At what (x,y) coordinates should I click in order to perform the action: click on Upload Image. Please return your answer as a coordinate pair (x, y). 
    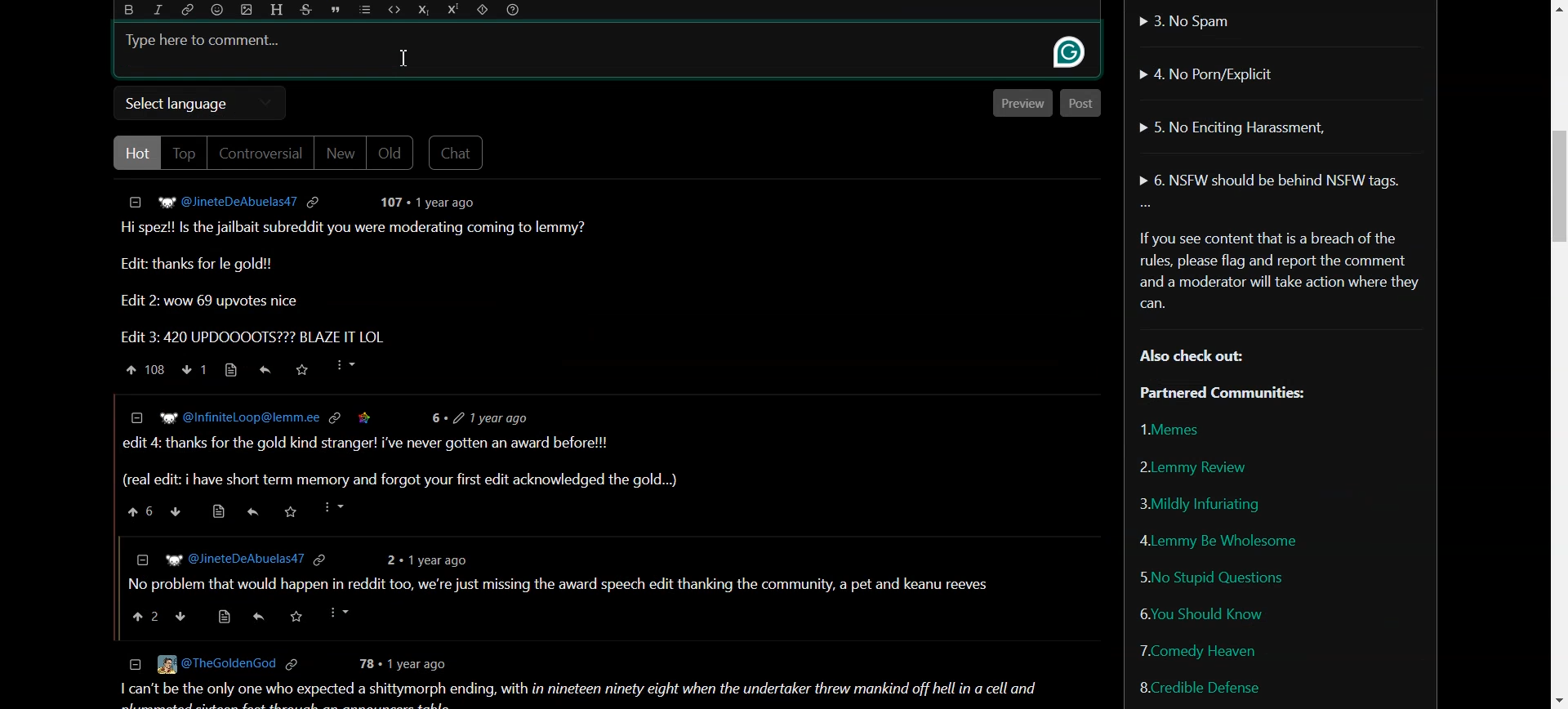
    Looking at the image, I should click on (246, 10).